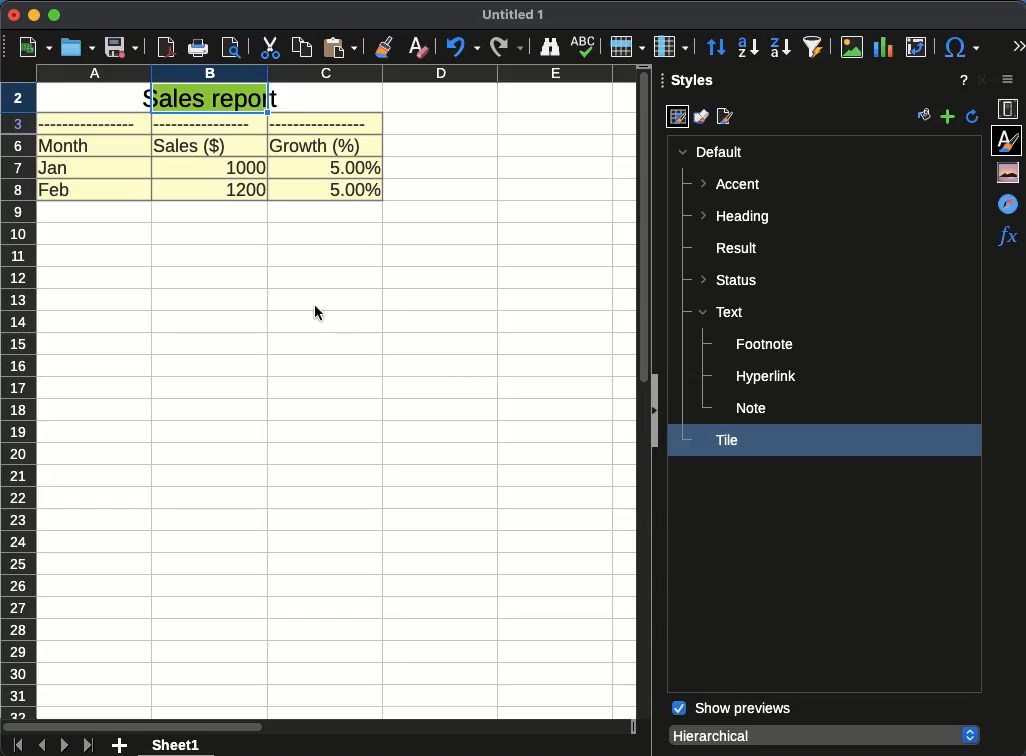  Describe the element at coordinates (197, 48) in the screenshot. I see `print` at that location.